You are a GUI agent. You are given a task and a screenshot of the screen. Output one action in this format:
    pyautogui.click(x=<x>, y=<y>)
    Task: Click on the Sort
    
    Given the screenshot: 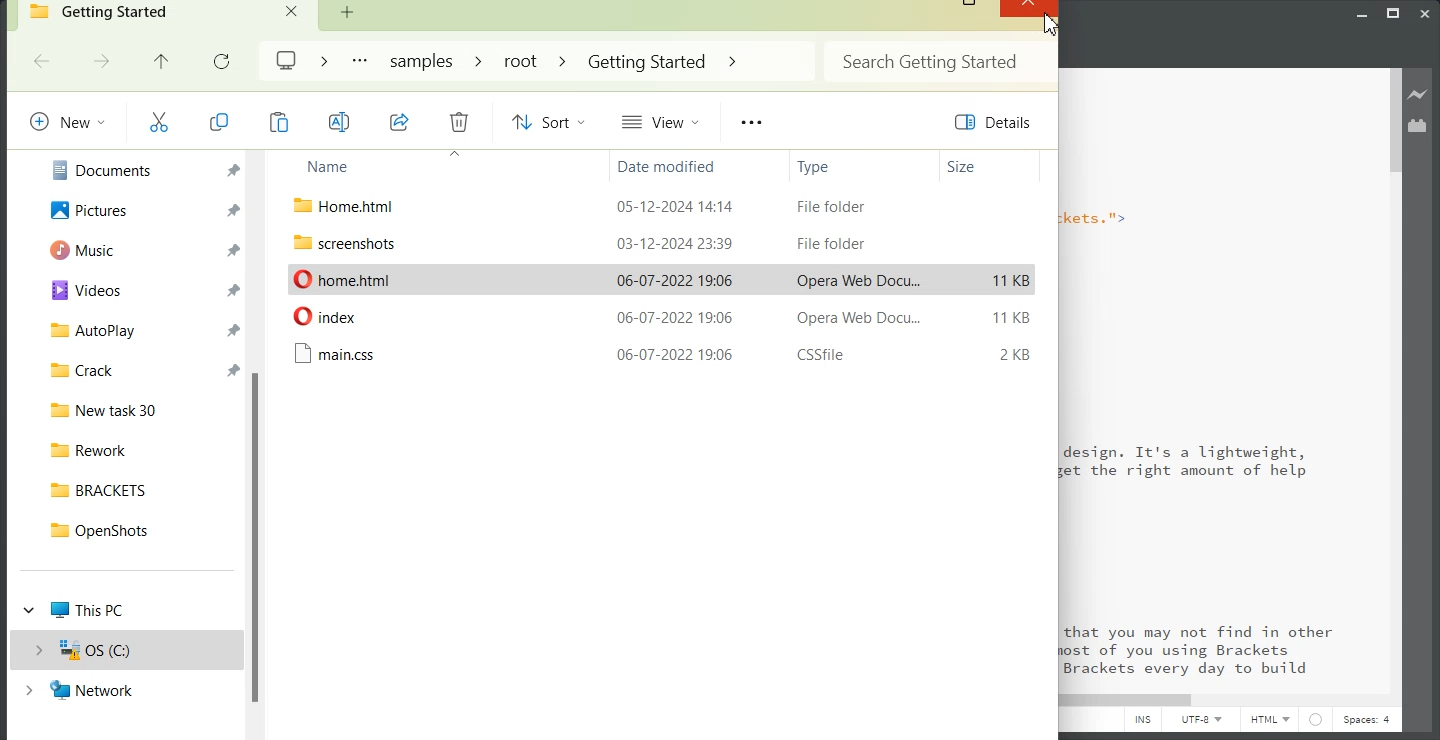 What is the action you would take?
    pyautogui.click(x=545, y=121)
    